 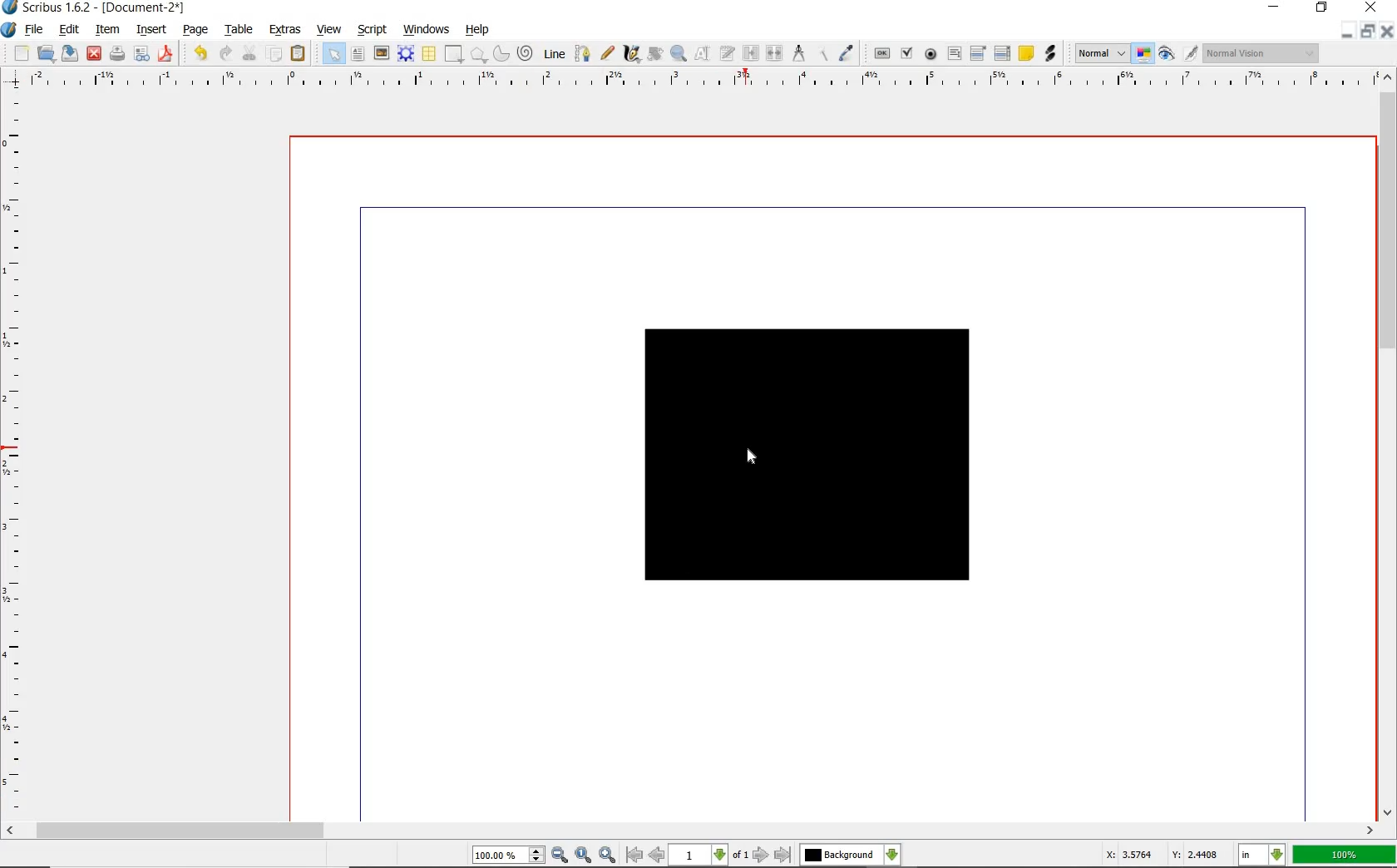 What do you see at coordinates (404, 53) in the screenshot?
I see `render frame` at bounding box center [404, 53].